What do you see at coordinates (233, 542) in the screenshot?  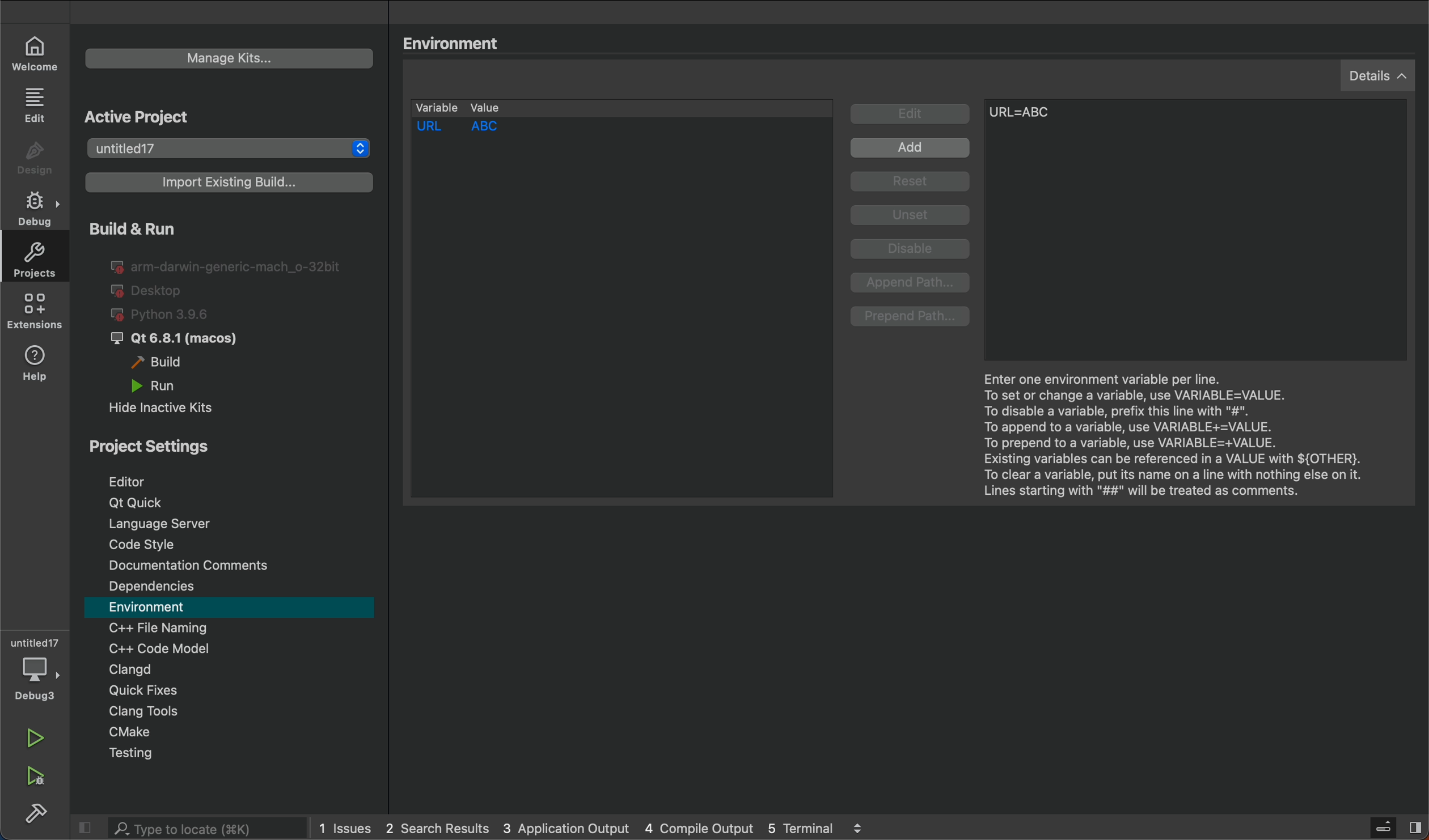 I see `code style` at bounding box center [233, 542].